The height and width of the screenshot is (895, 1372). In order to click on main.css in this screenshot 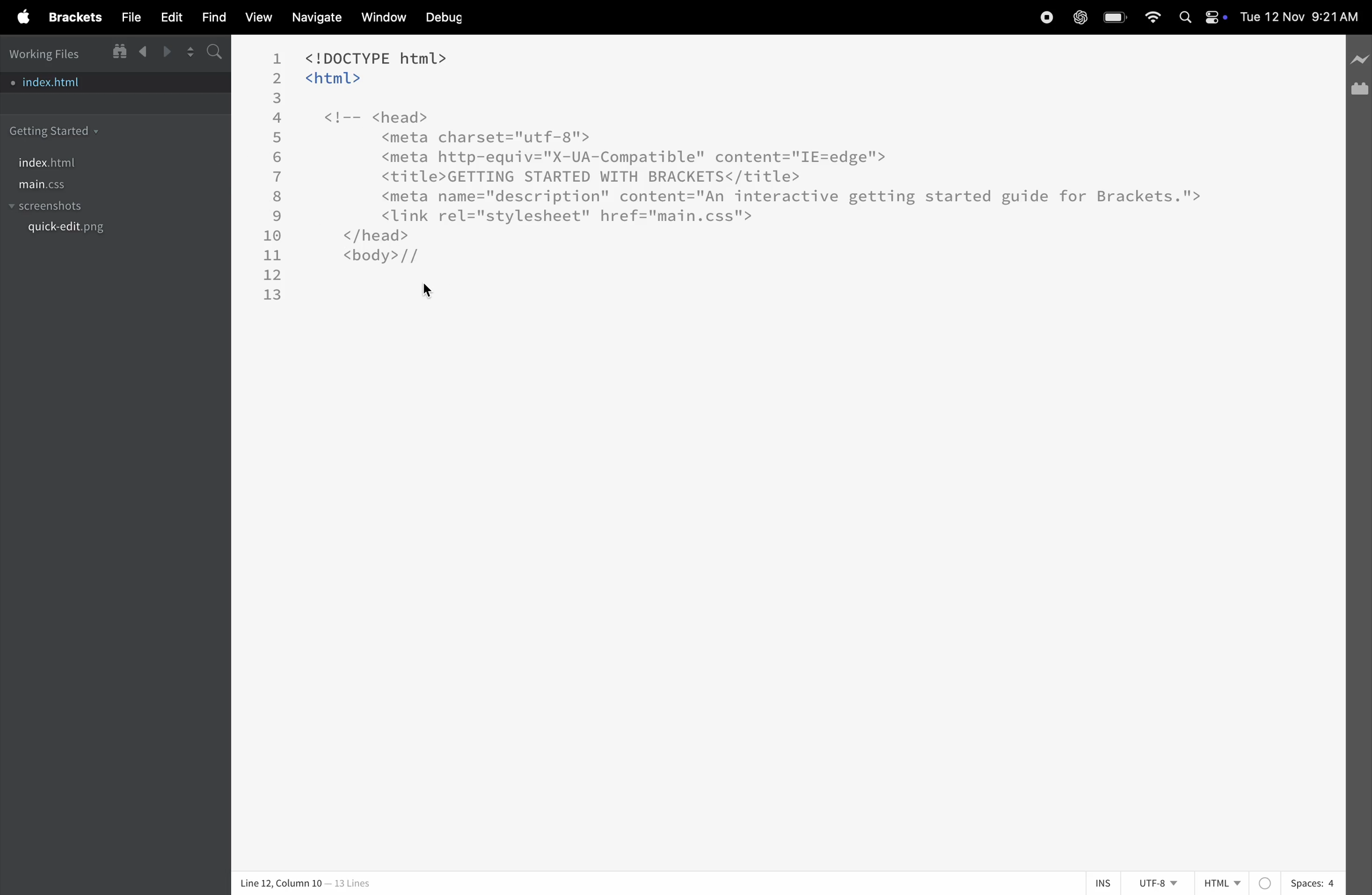, I will do `click(74, 184)`.